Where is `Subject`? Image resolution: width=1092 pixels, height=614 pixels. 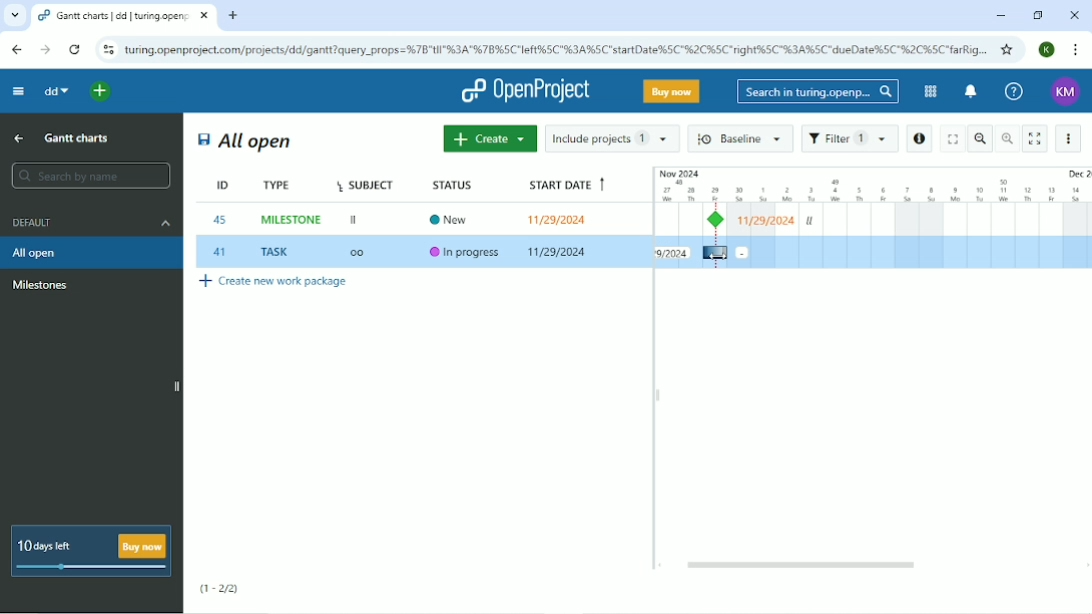
Subject is located at coordinates (362, 185).